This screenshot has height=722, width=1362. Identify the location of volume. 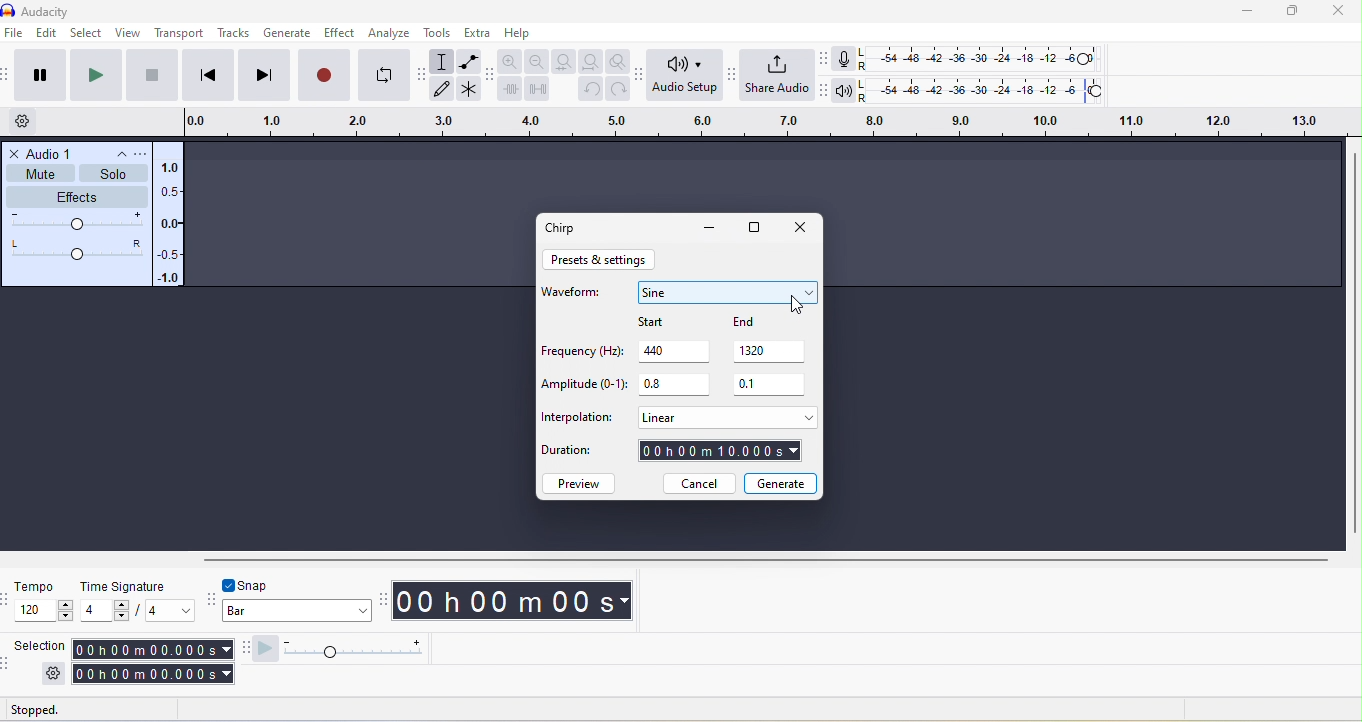
(77, 223).